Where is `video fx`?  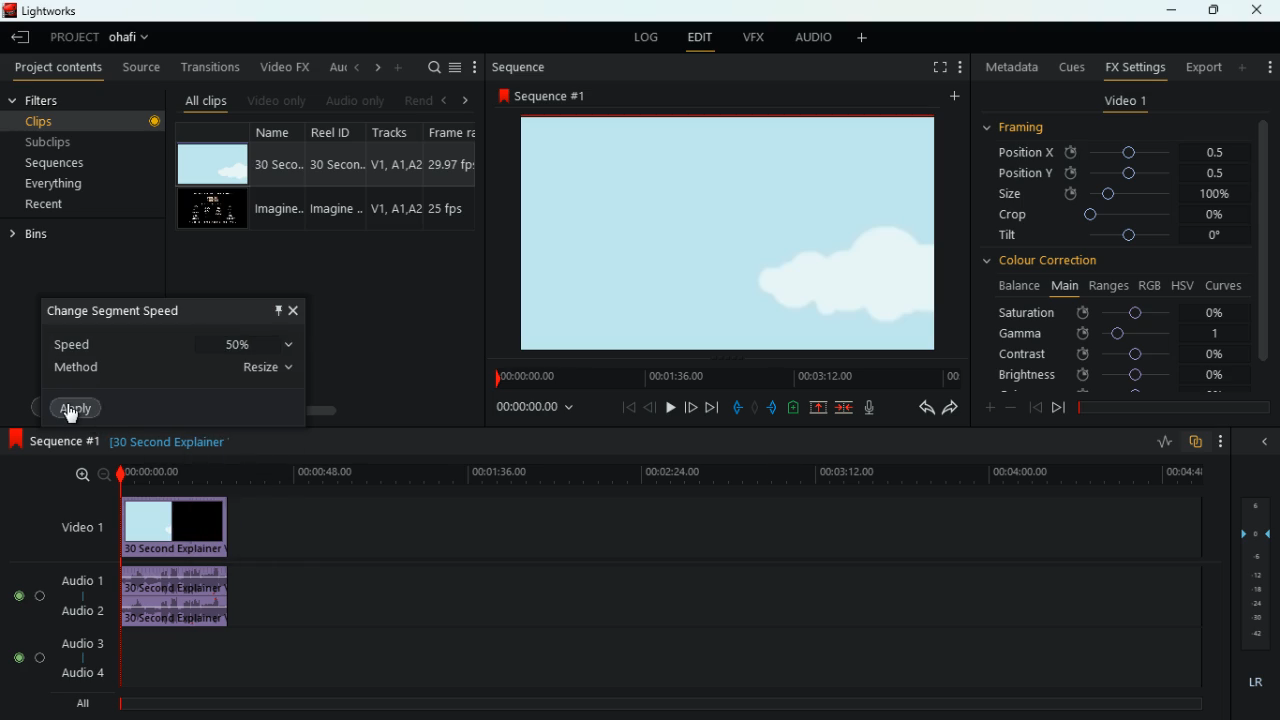
video fx is located at coordinates (283, 66).